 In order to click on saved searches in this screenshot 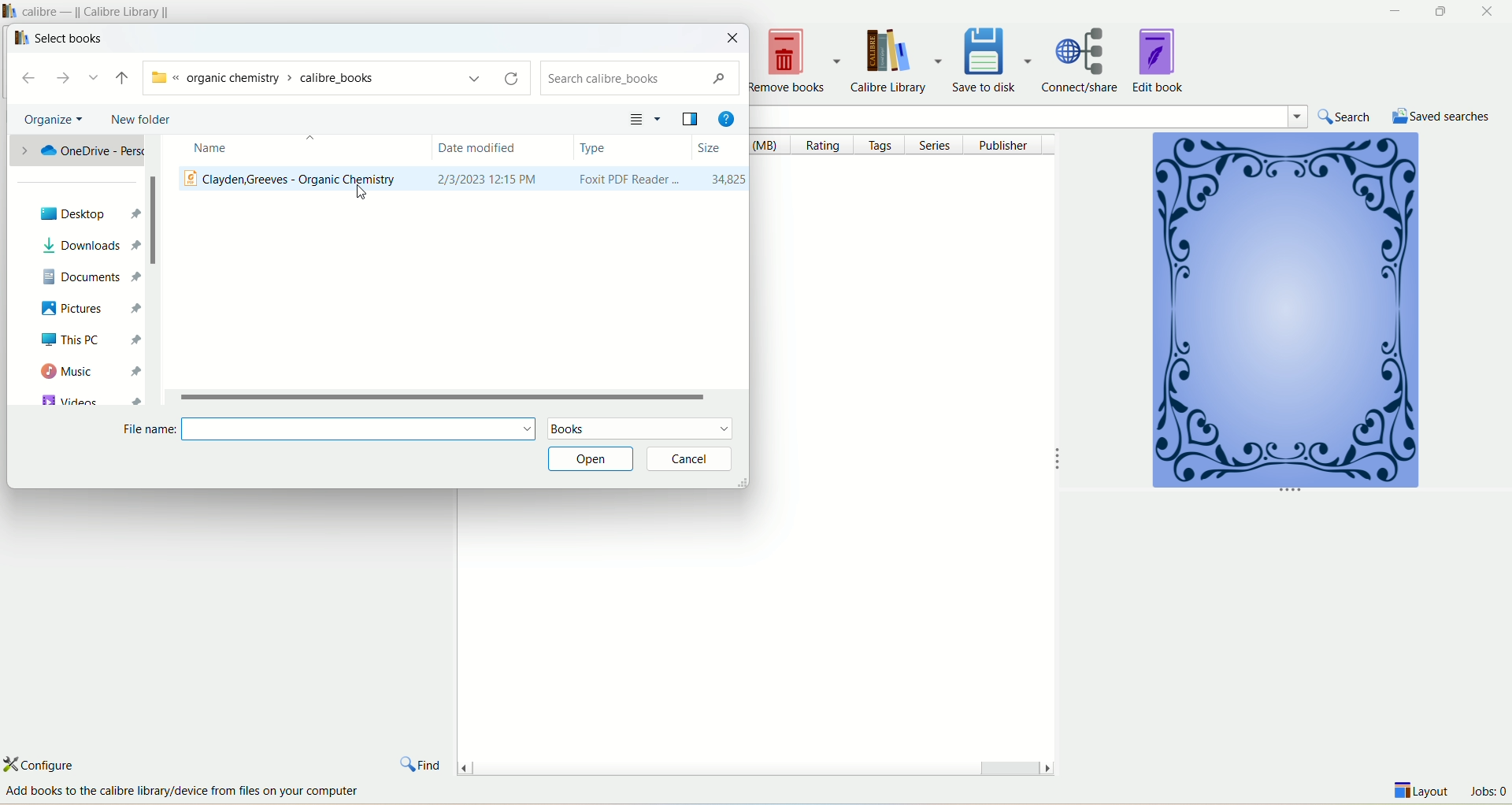, I will do `click(1442, 115)`.